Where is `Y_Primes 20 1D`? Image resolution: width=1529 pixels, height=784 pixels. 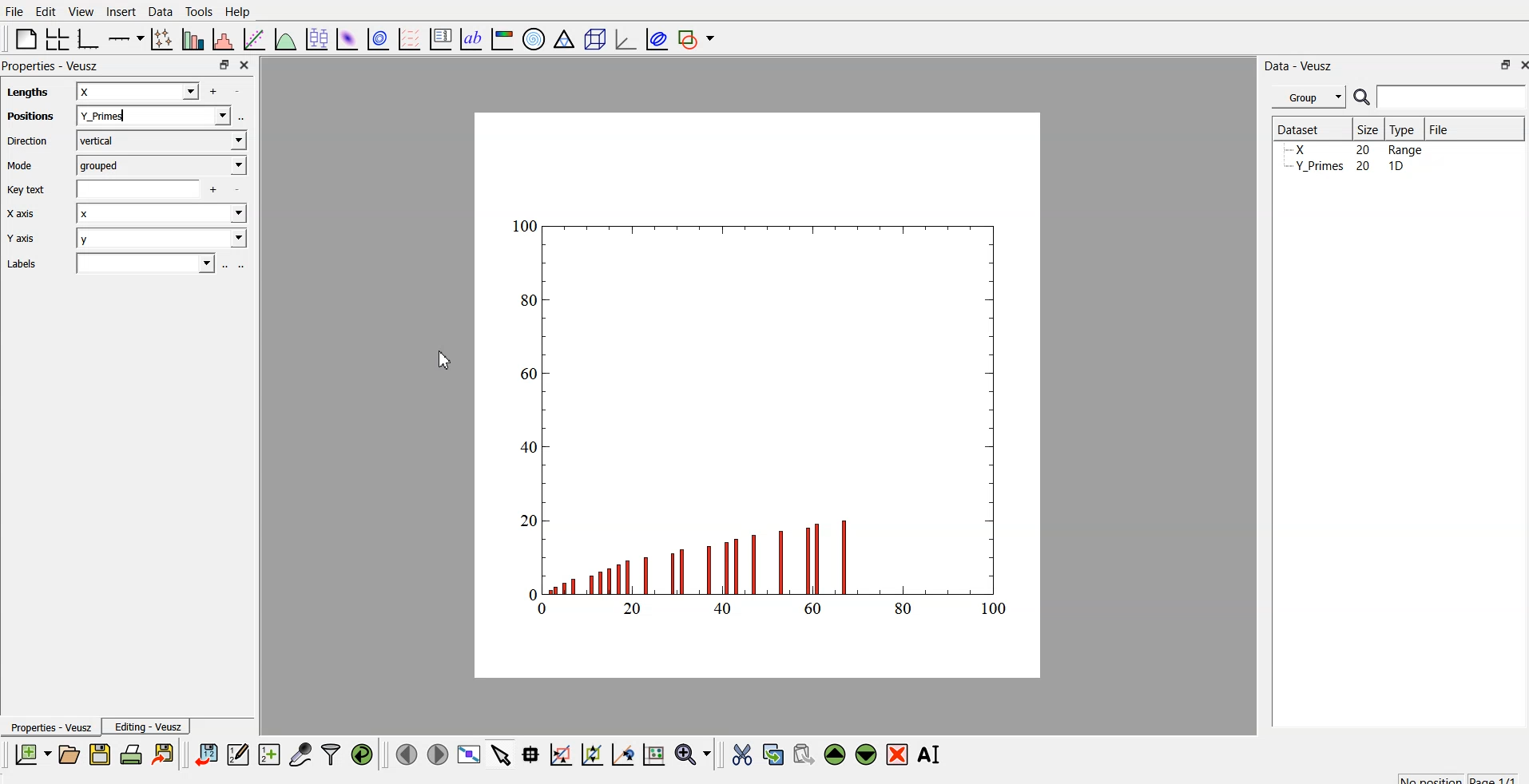
Y_Primes 20 1D is located at coordinates (1344, 151).